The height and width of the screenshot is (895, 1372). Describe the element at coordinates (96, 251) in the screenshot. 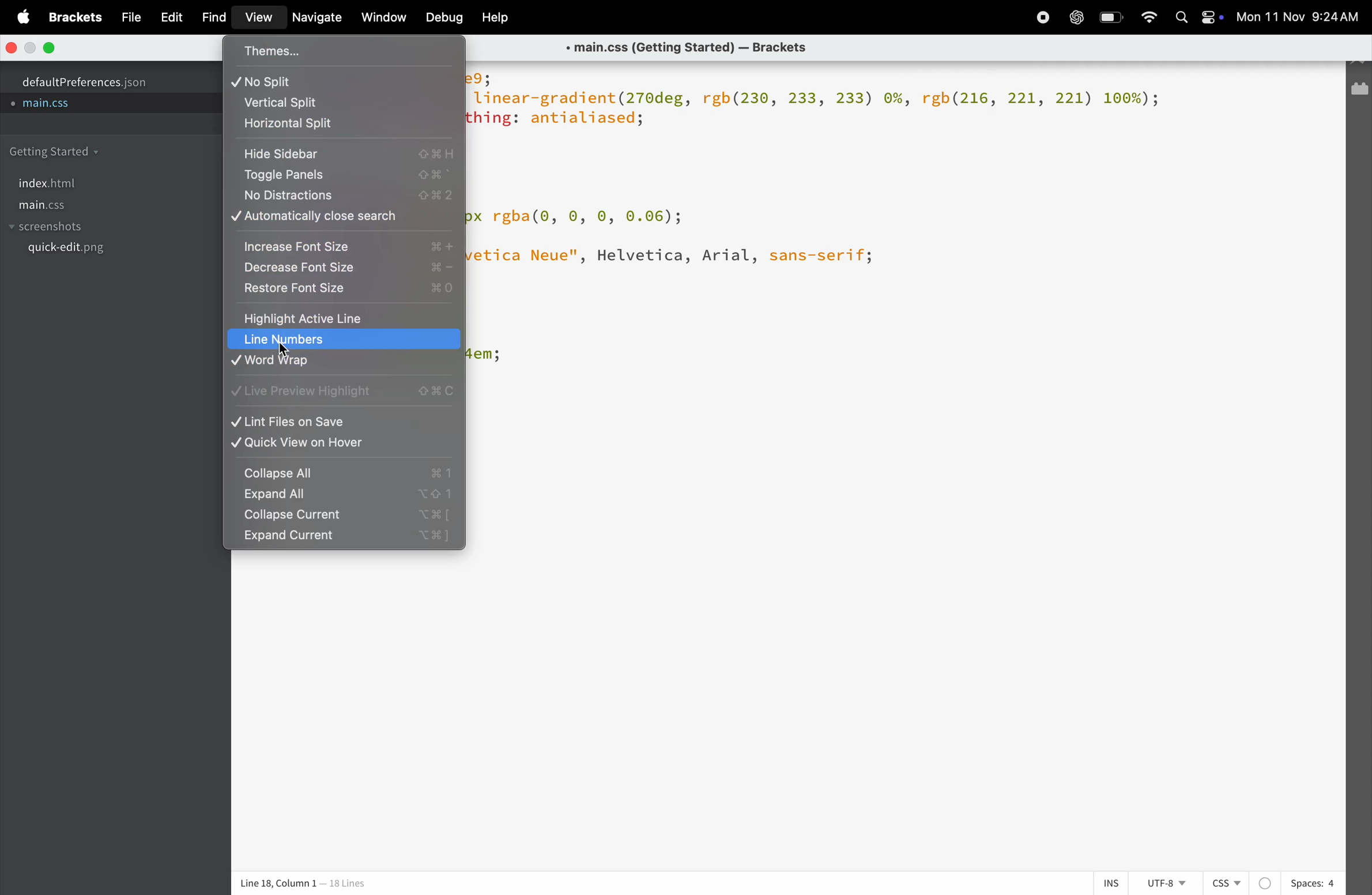

I see `quickedit.png` at that location.